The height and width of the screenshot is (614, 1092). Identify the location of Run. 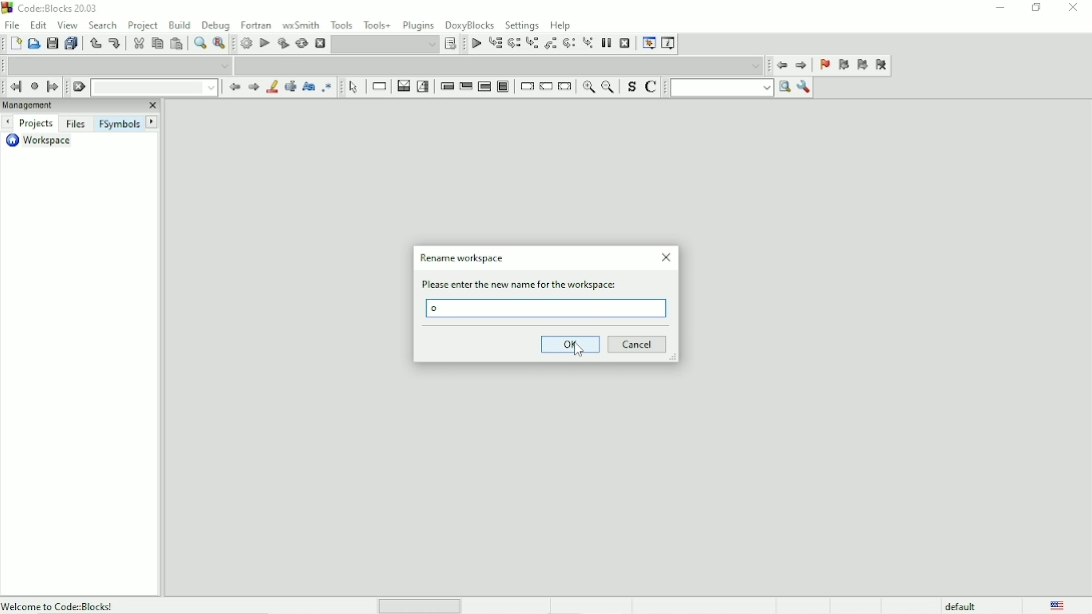
(264, 43).